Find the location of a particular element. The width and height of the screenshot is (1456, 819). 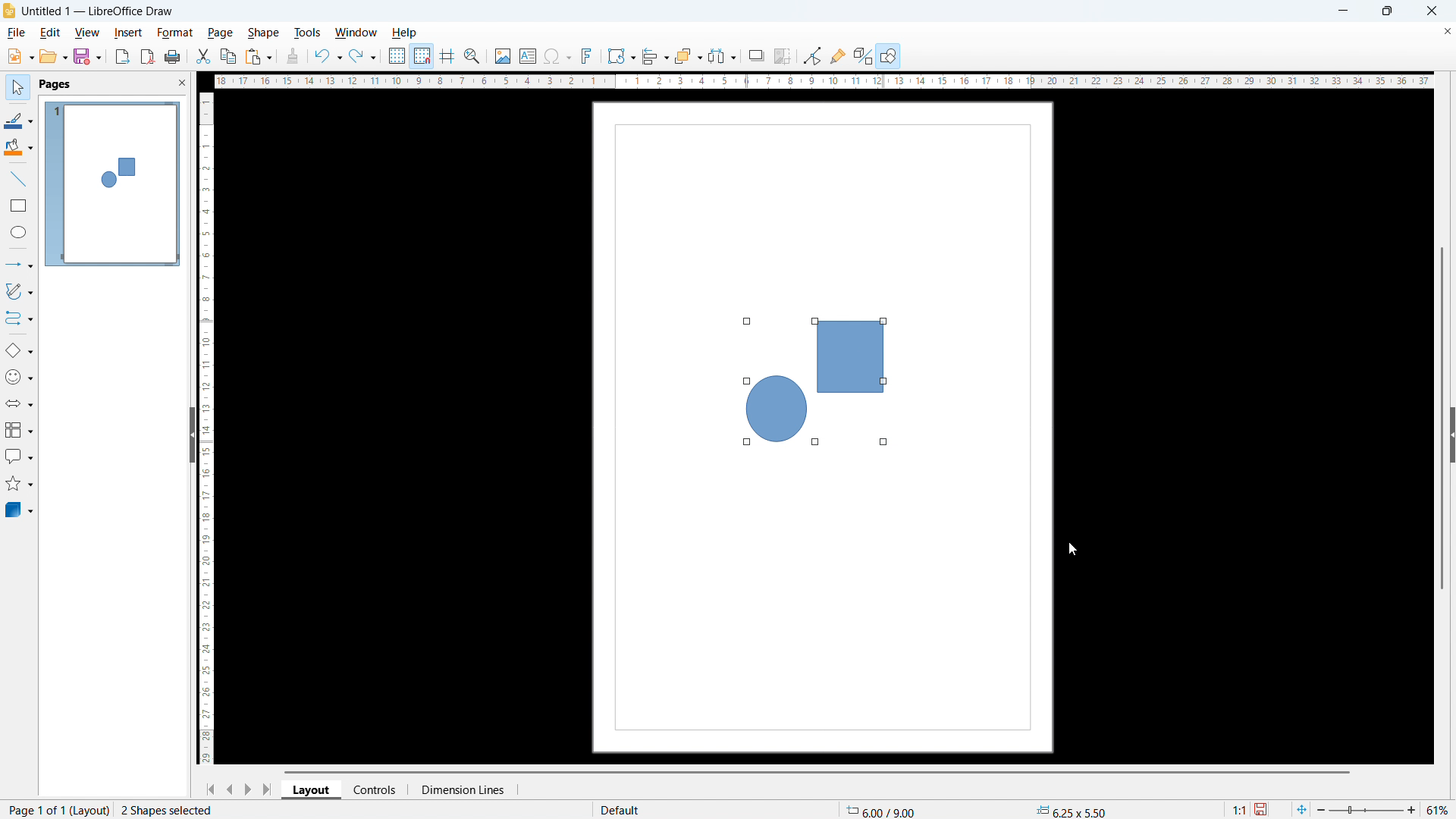

horizontal ruler is located at coordinates (823, 81).